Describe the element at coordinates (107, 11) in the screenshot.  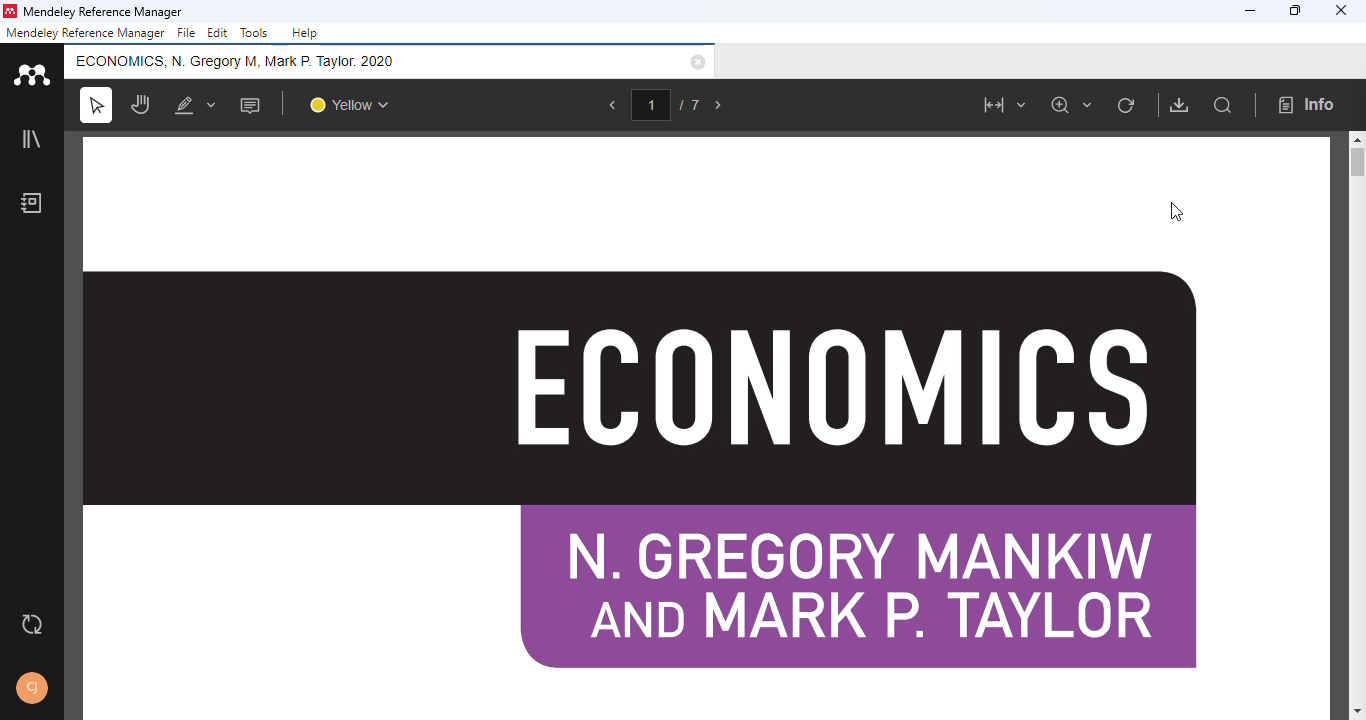
I see `mendeley reference manager` at that location.